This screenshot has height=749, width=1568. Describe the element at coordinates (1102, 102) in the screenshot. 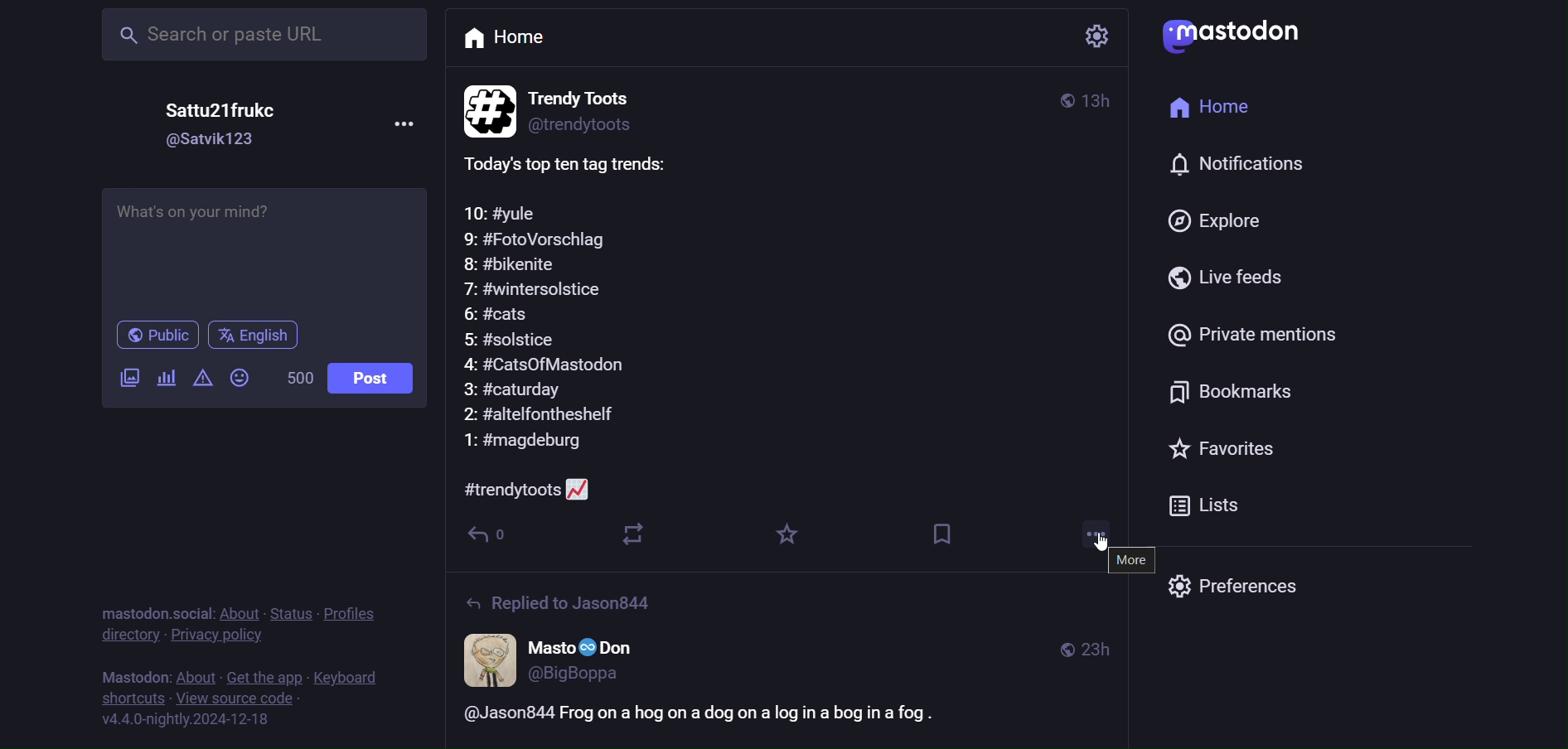

I see `time posted` at that location.